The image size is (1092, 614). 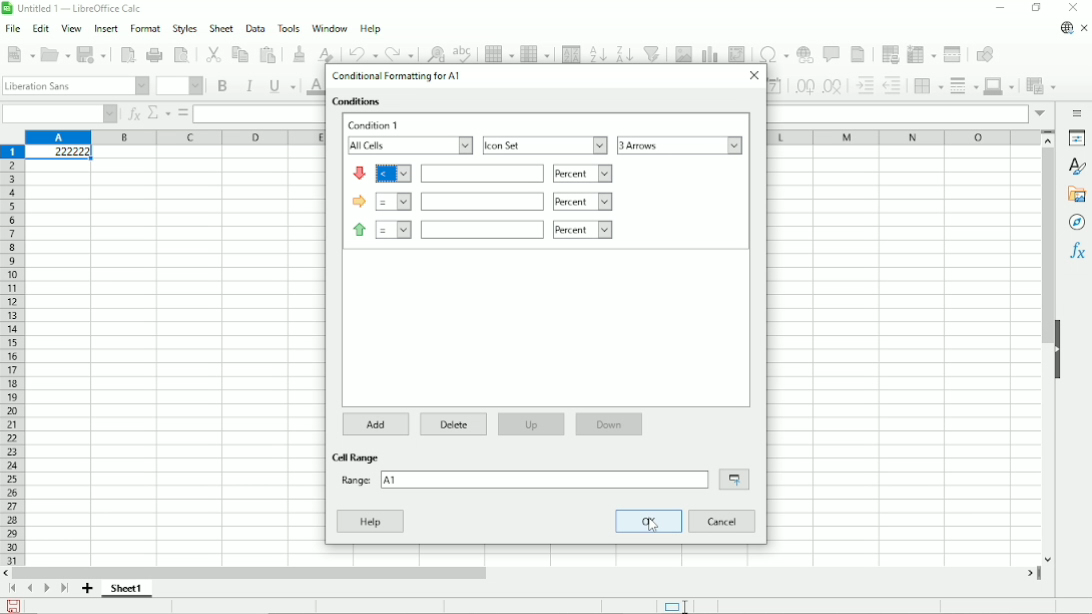 What do you see at coordinates (364, 54) in the screenshot?
I see `undo` at bounding box center [364, 54].